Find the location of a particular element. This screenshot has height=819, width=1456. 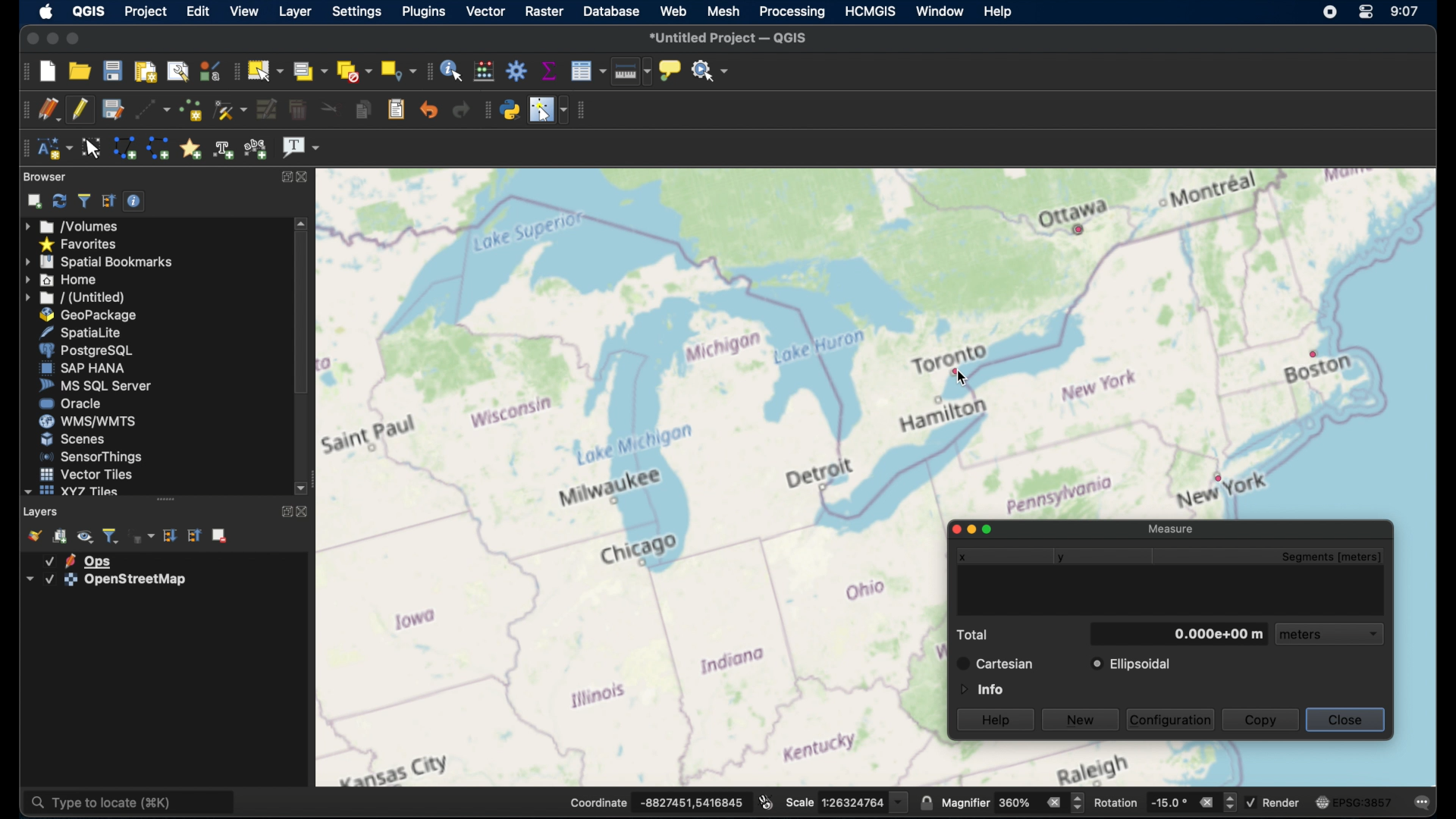

untitled menu is located at coordinates (74, 297).